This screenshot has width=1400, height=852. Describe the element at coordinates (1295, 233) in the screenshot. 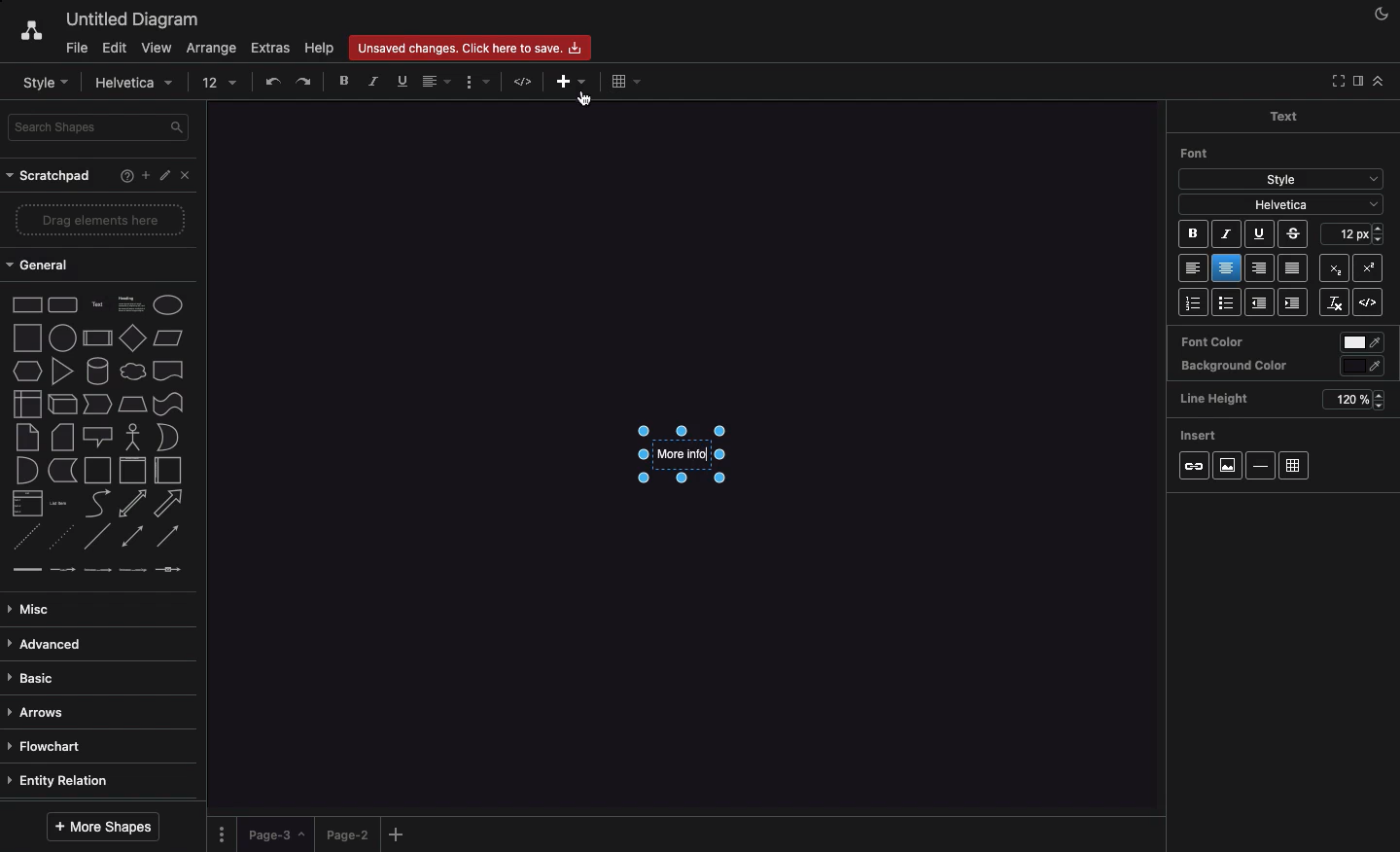

I see `Strikethrough` at that location.